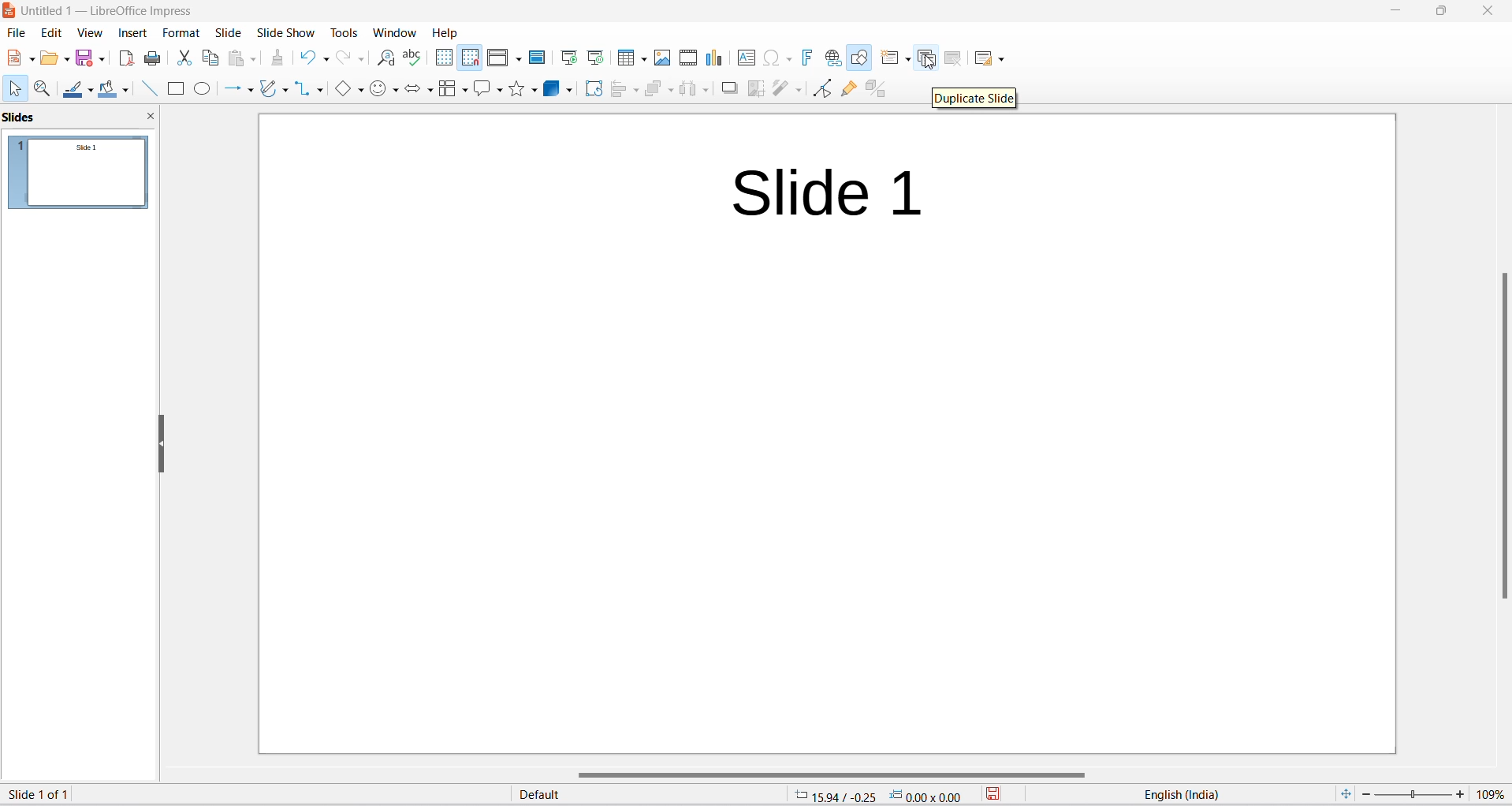  I want to click on Arrange, so click(660, 88).